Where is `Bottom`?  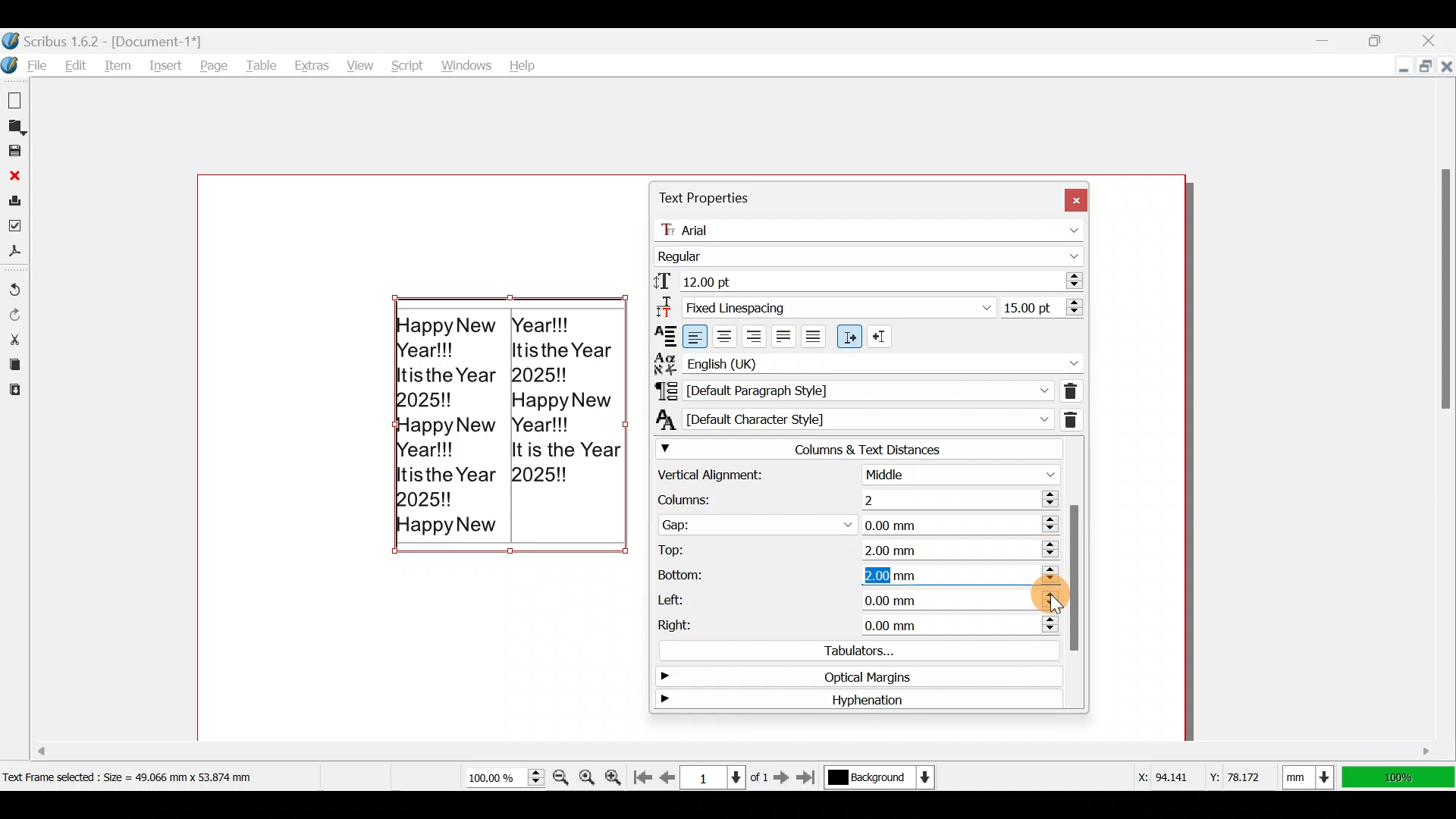 Bottom is located at coordinates (856, 572).